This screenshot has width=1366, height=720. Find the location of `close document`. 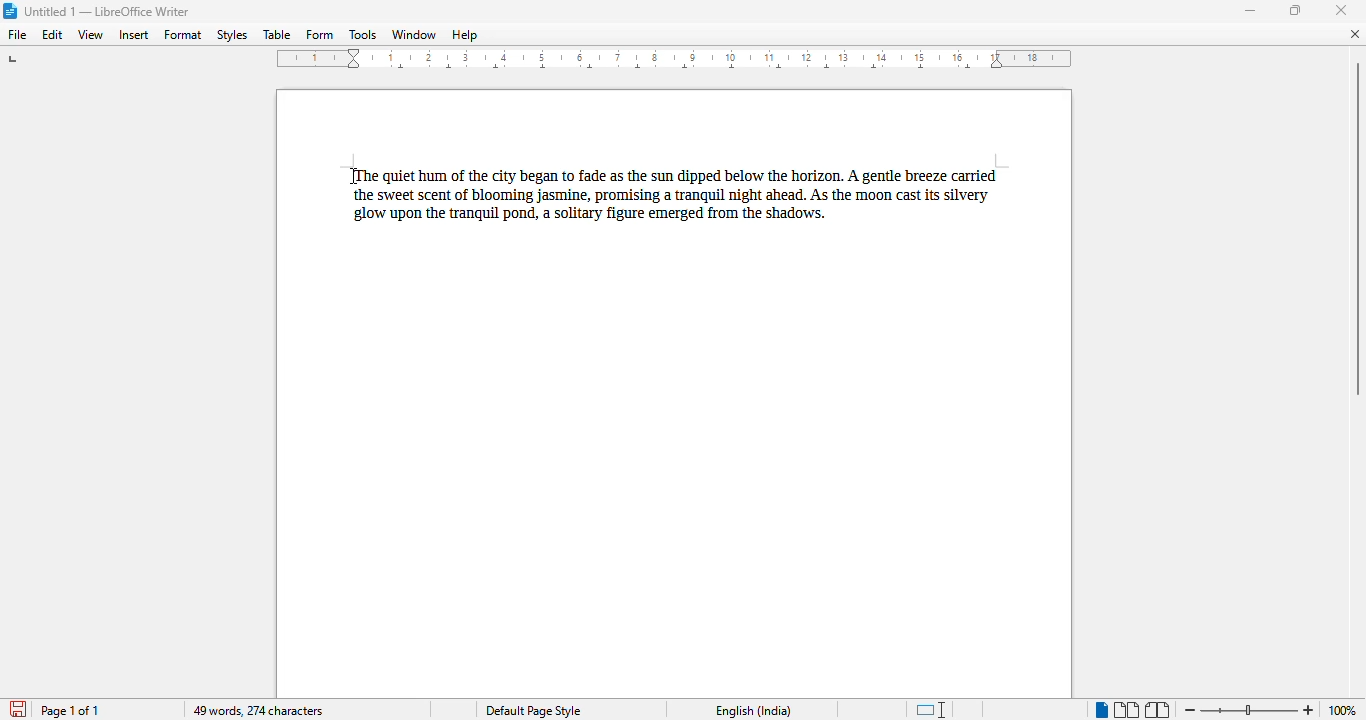

close document is located at coordinates (1355, 34).